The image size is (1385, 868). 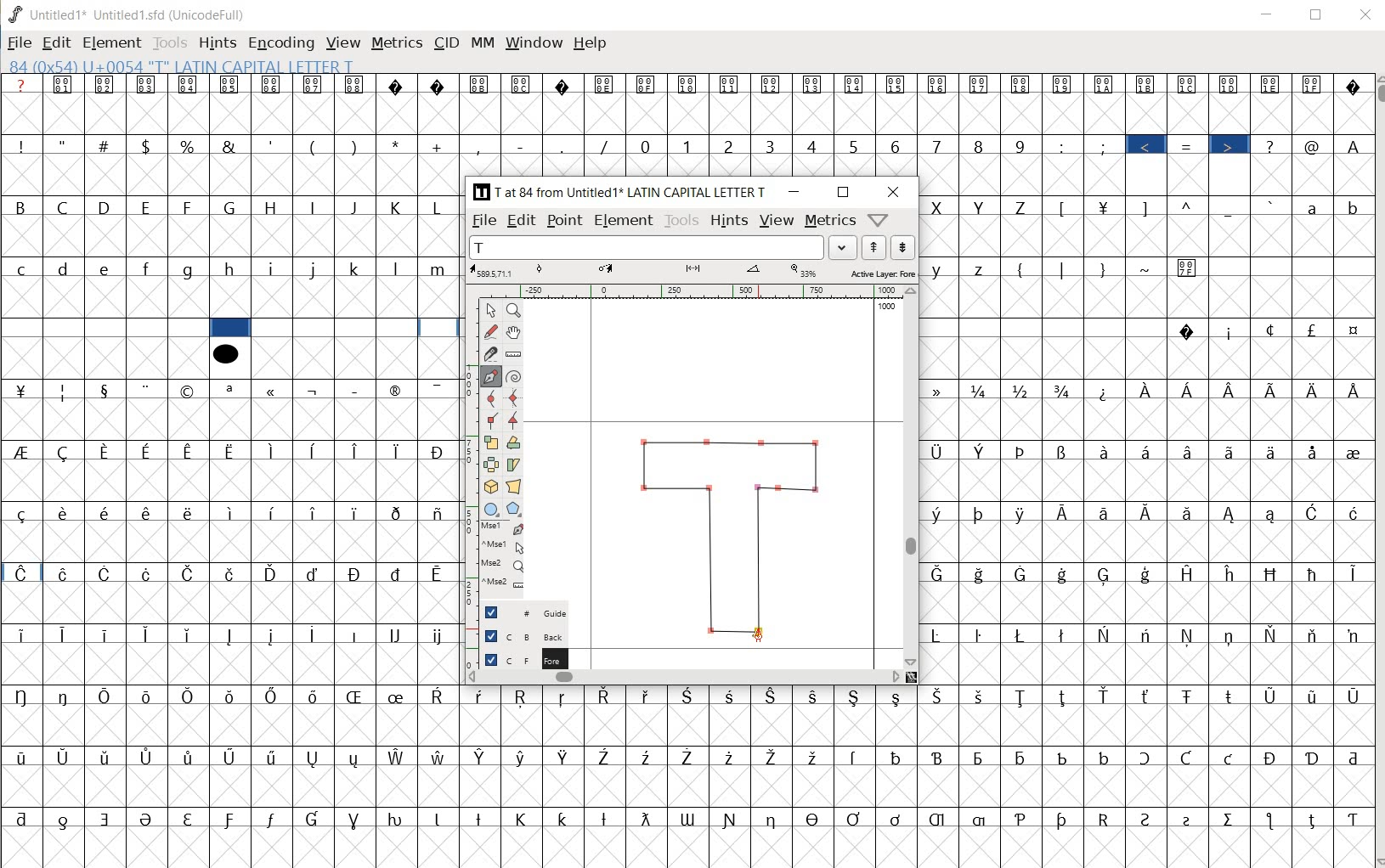 I want to click on Symbol, so click(x=148, y=572).